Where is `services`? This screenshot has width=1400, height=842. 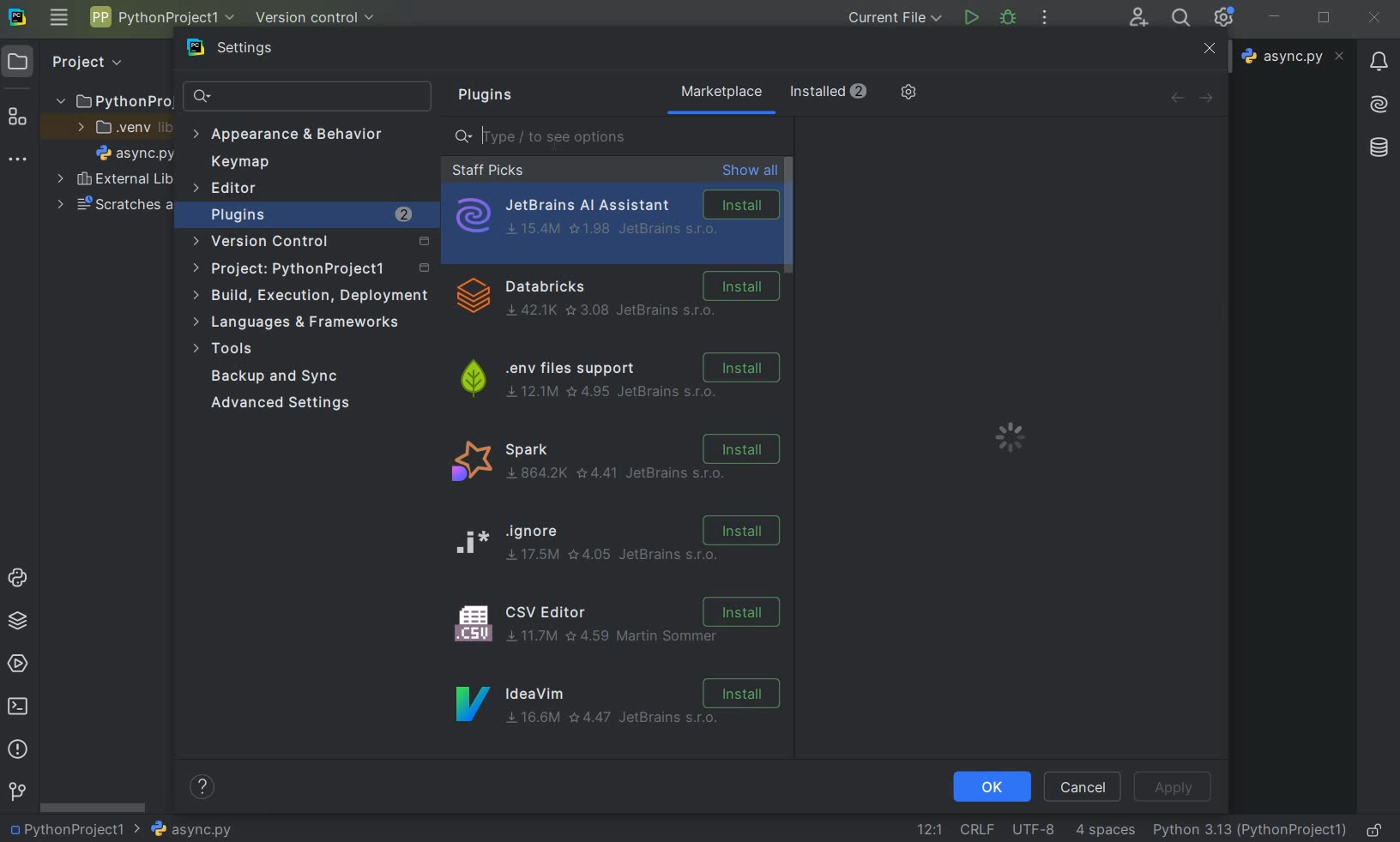 services is located at coordinates (17, 663).